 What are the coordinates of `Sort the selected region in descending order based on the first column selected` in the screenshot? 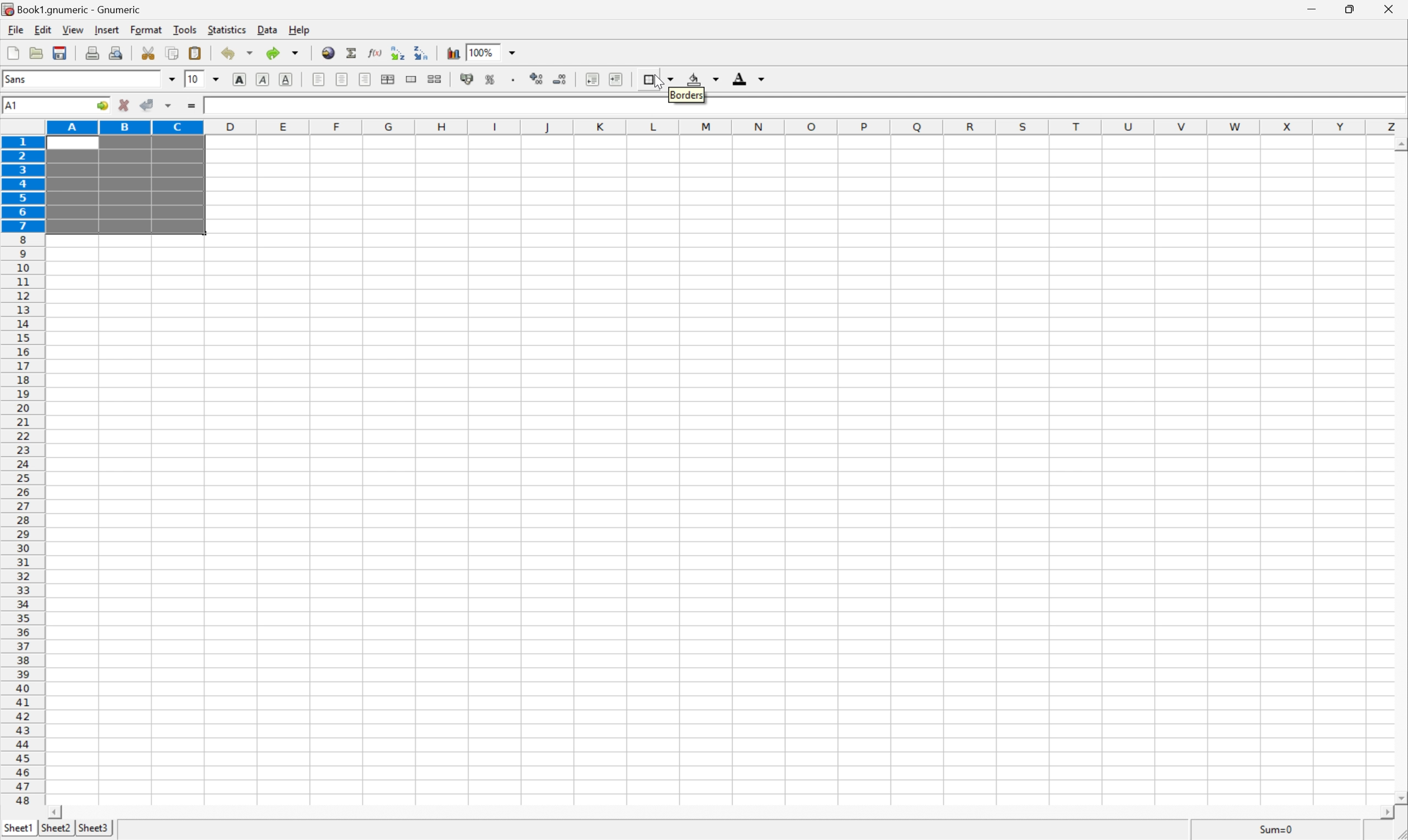 It's located at (422, 53).